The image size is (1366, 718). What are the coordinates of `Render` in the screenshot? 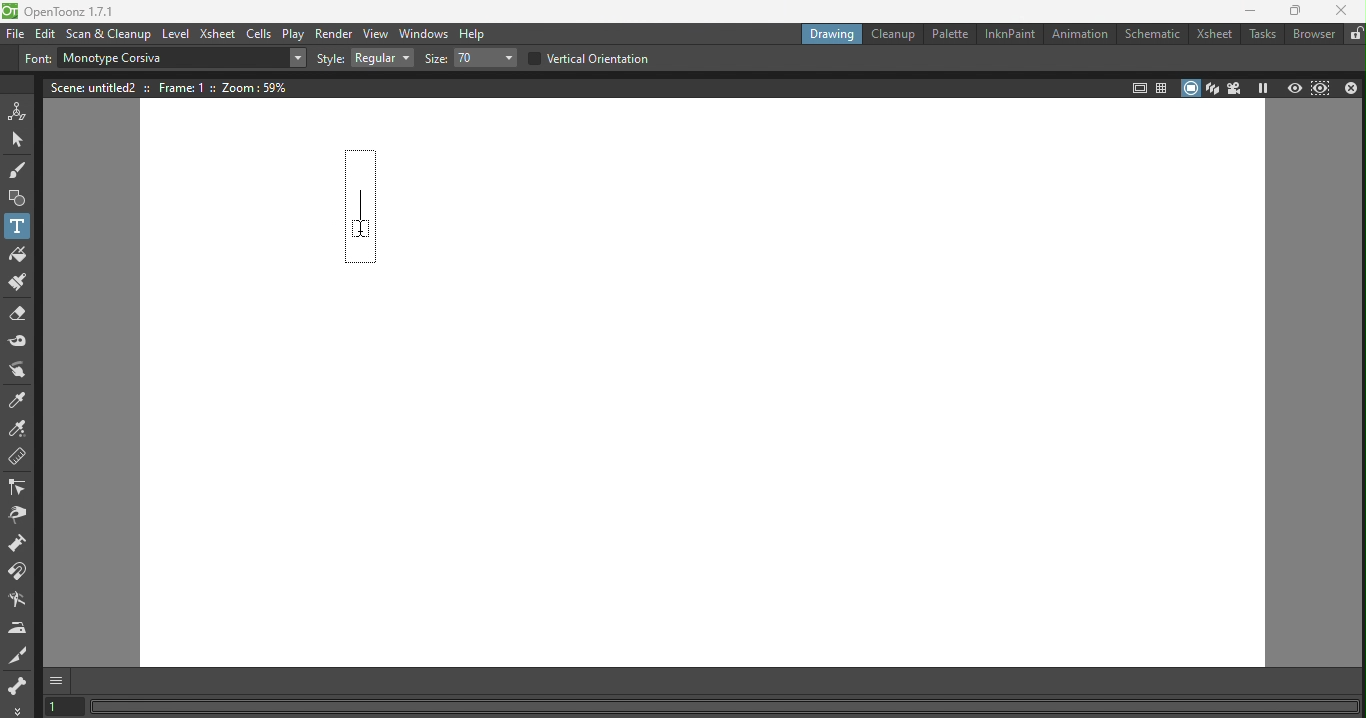 It's located at (336, 35).